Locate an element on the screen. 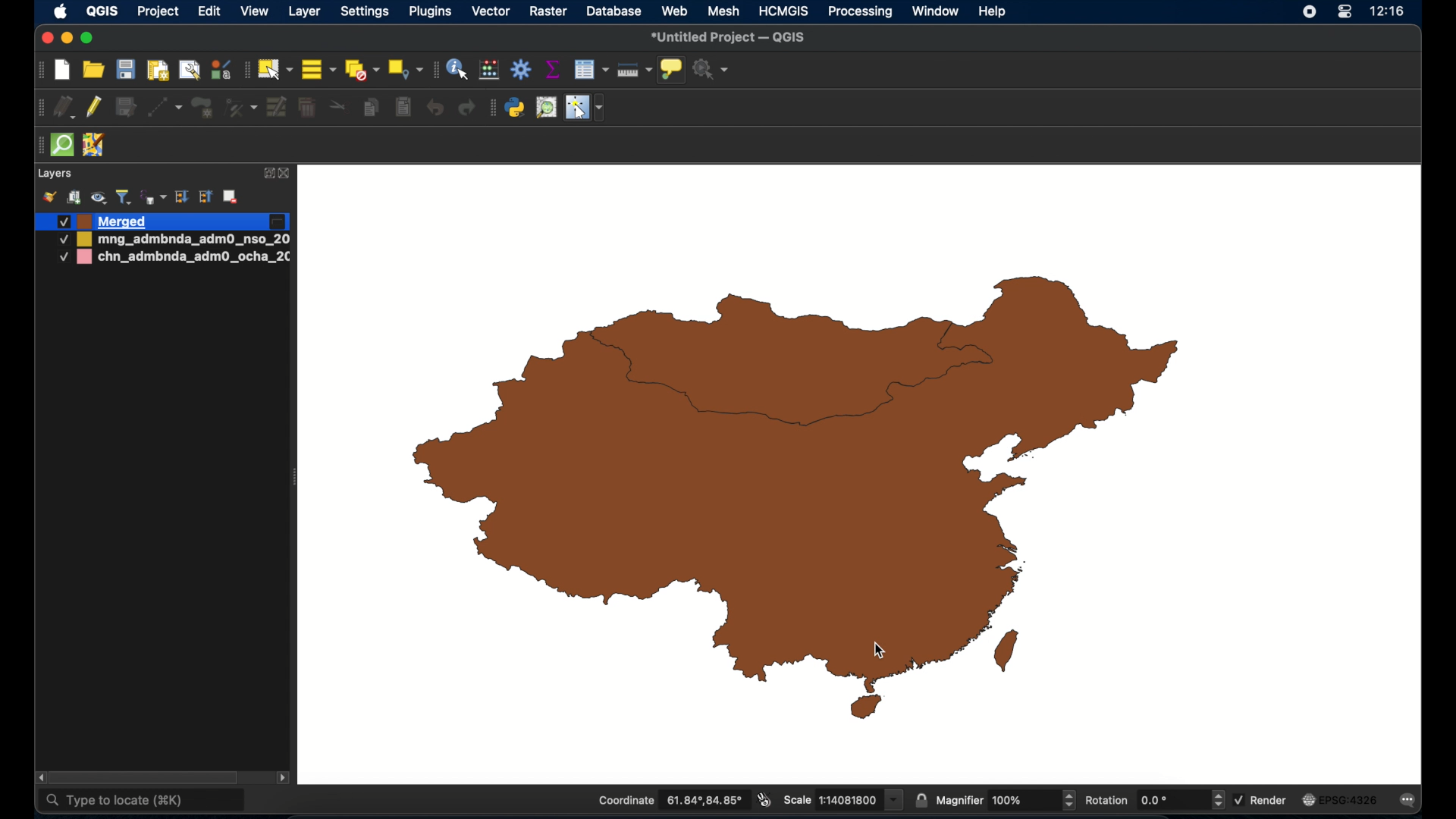 The height and width of the screenshot is (819, 1456). mesh is located at coordinates (724, 11).